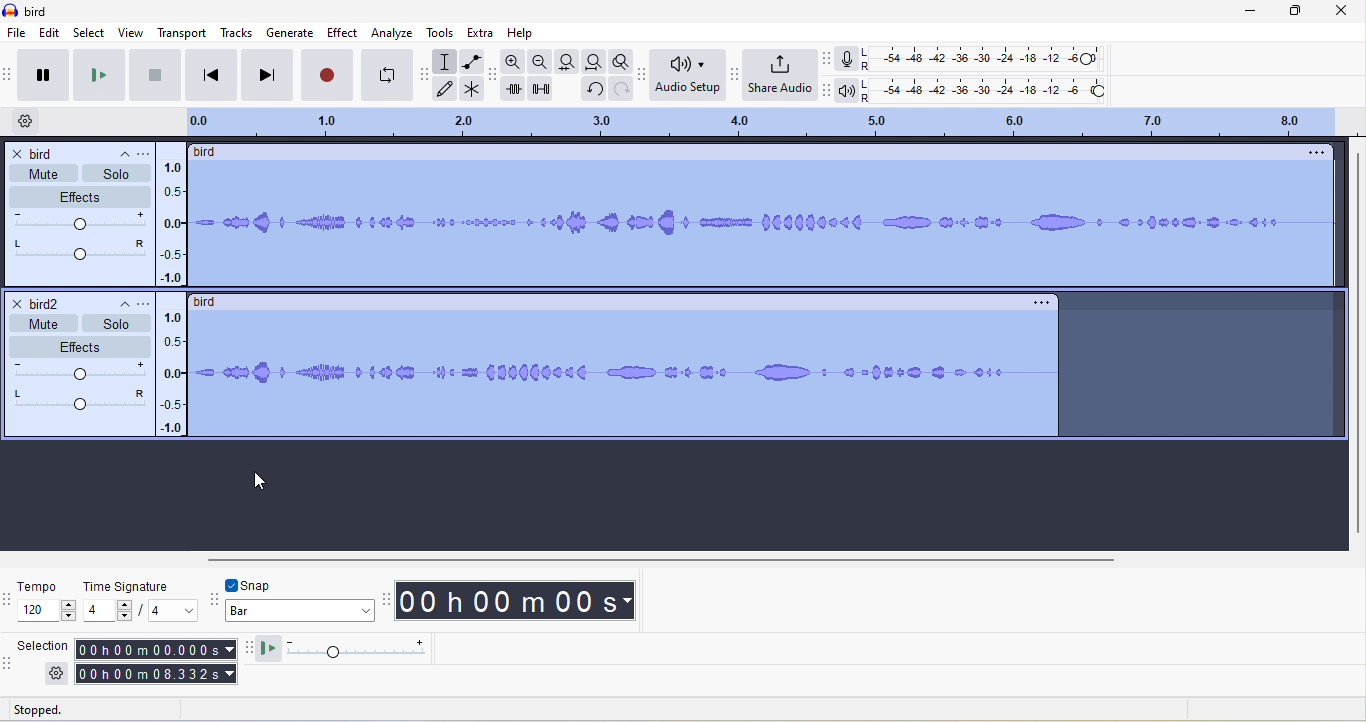 This screenshot has height=722, width=1366. Describe the element at coordinates (96, 75) in the screenshot. I see `play` at that location.